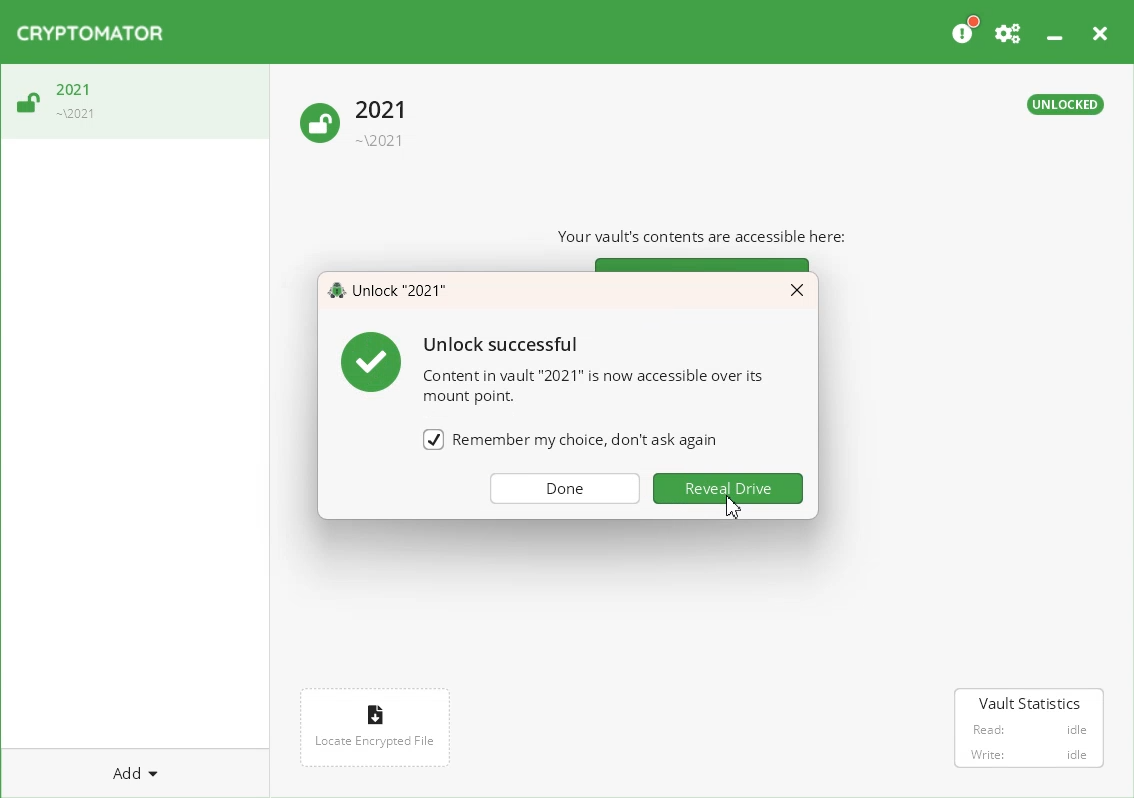 The width and height of the screenshot is (1134, 798). What do you see at coordinates (377, 725) in the screenshot?
I see `Locate encrypted File` at bounding box center [377, 725].